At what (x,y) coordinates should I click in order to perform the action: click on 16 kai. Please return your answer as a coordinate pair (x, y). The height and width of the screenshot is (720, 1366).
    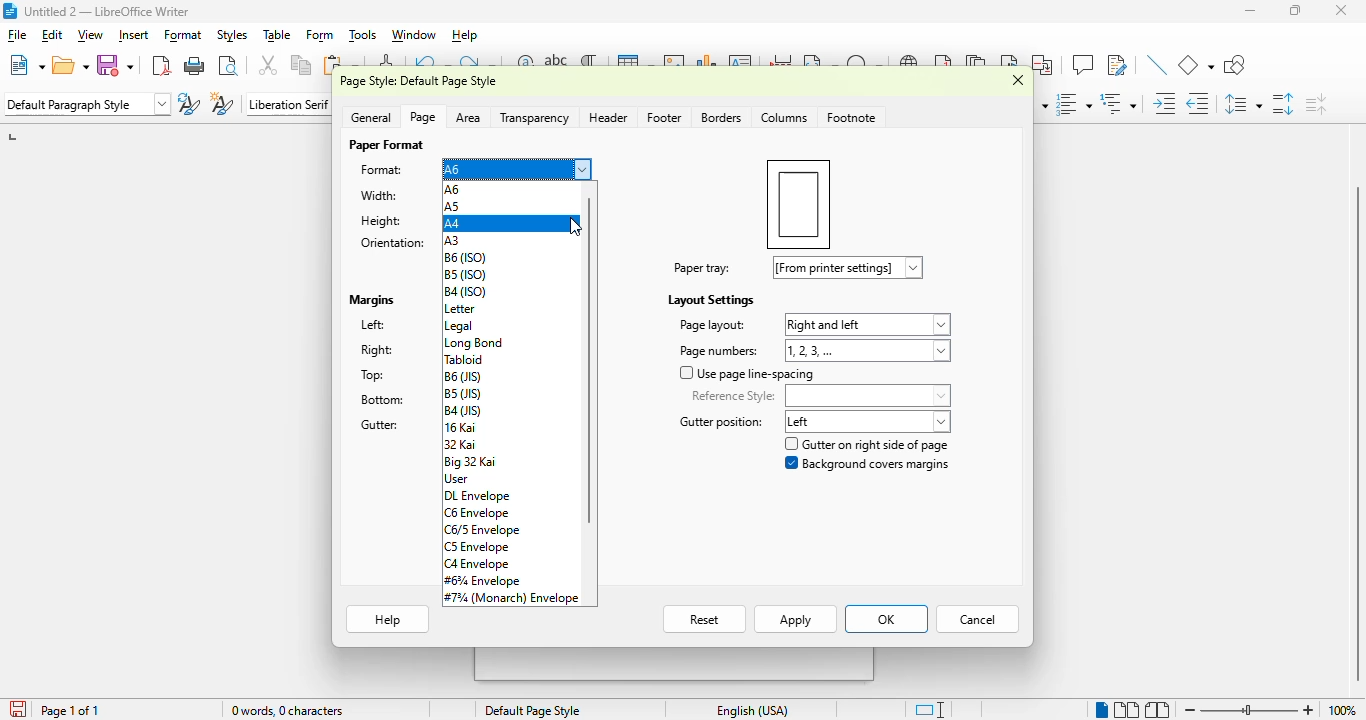
    Looking at the image, I should click on (461, 427).